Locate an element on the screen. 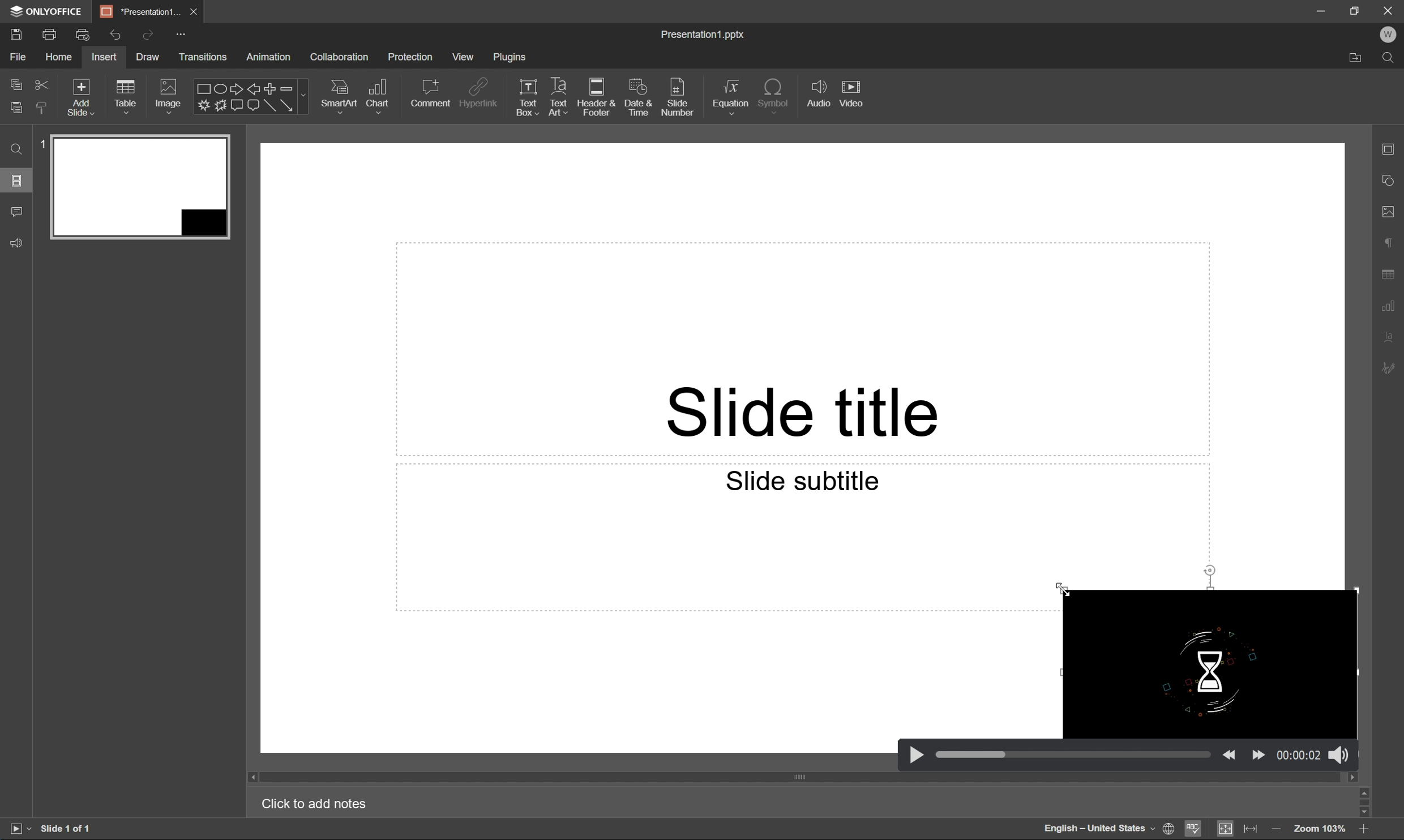 The height and width of the screenshot is (840, 1404). shapes is located at coordinates (250, 96).